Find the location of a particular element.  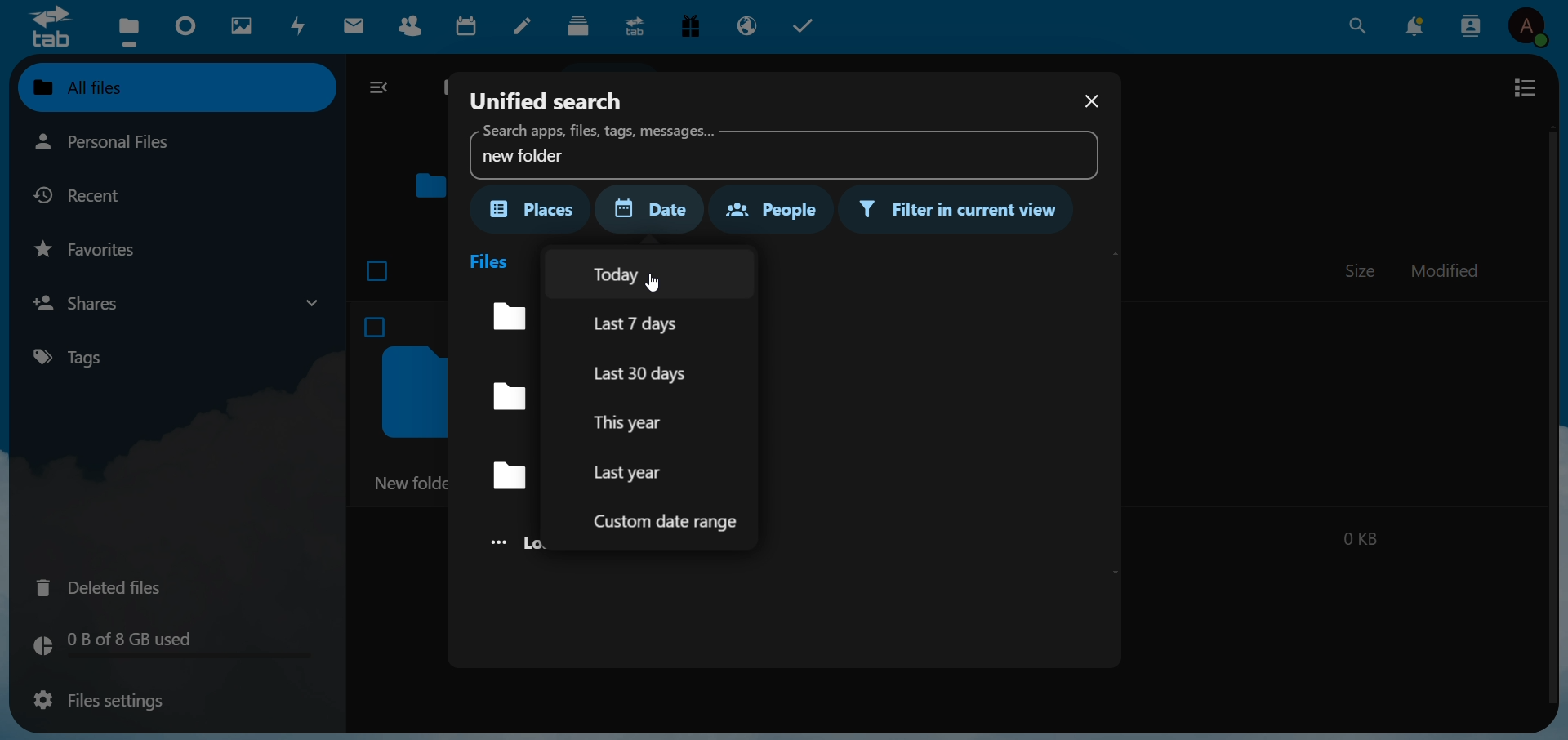

personal is located at coordinates (138, 143).